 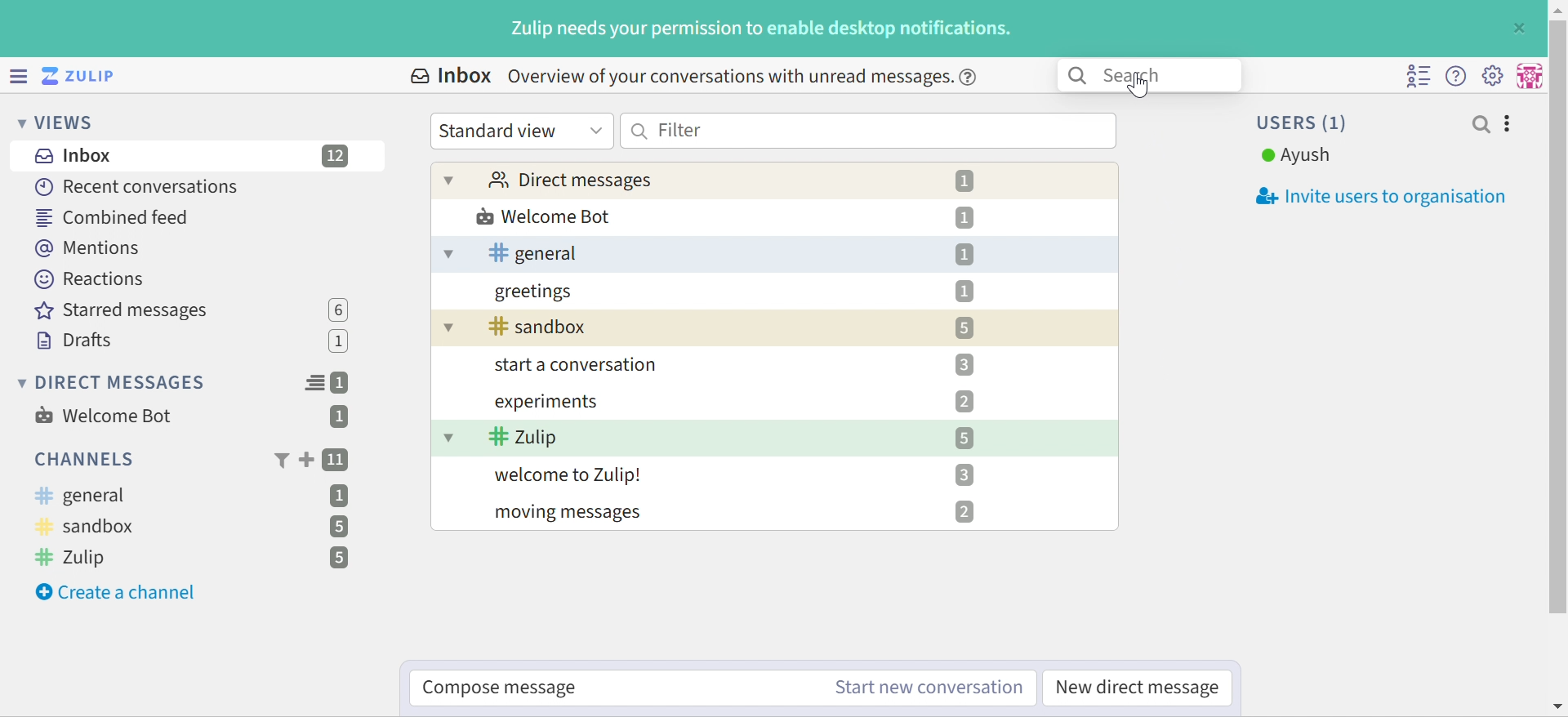 What do you see at coordinates (1531, 74) in the screenshot?
I see `Personal menu` at bounding box center [1531, 74].